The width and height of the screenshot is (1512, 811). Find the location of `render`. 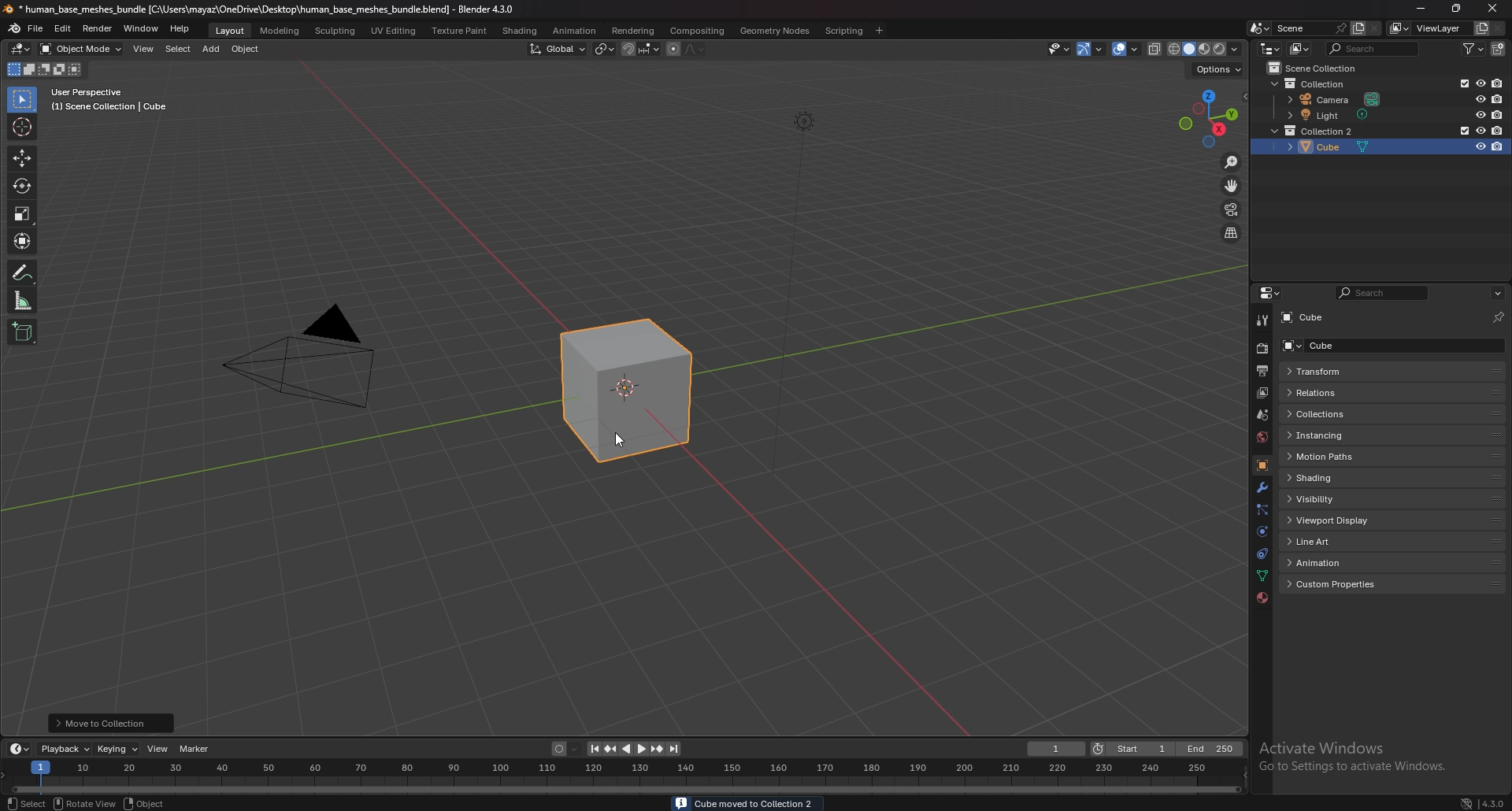

render is located at coordinates (98, 28).